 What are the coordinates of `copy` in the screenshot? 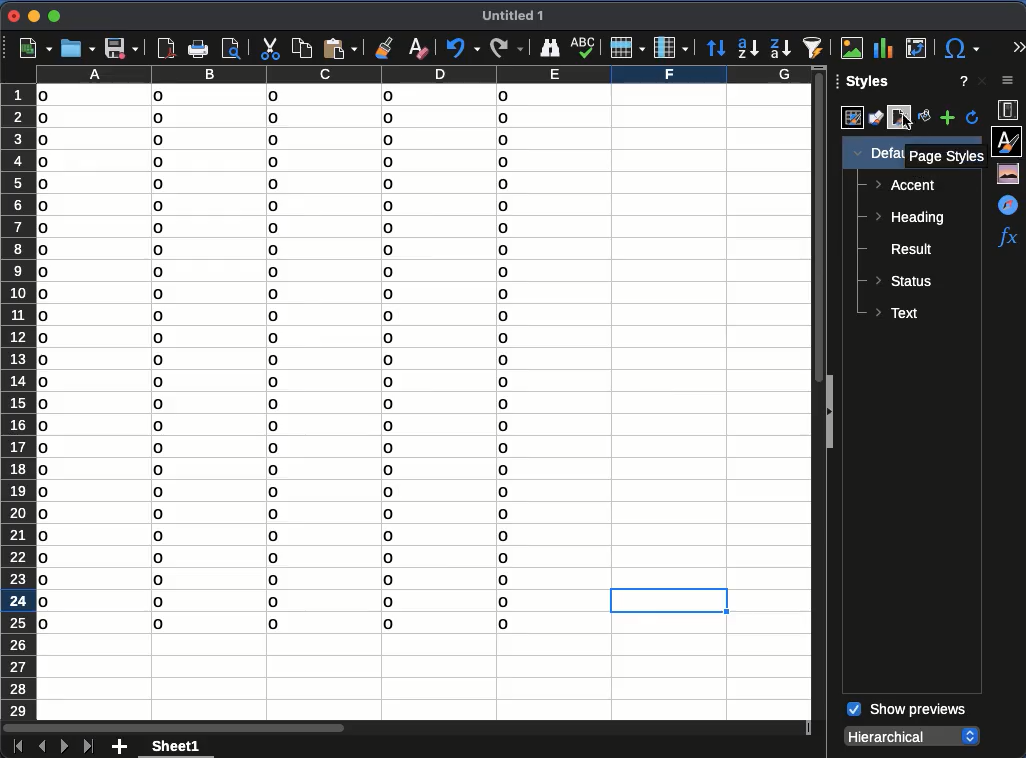 It's located at (301, 46).